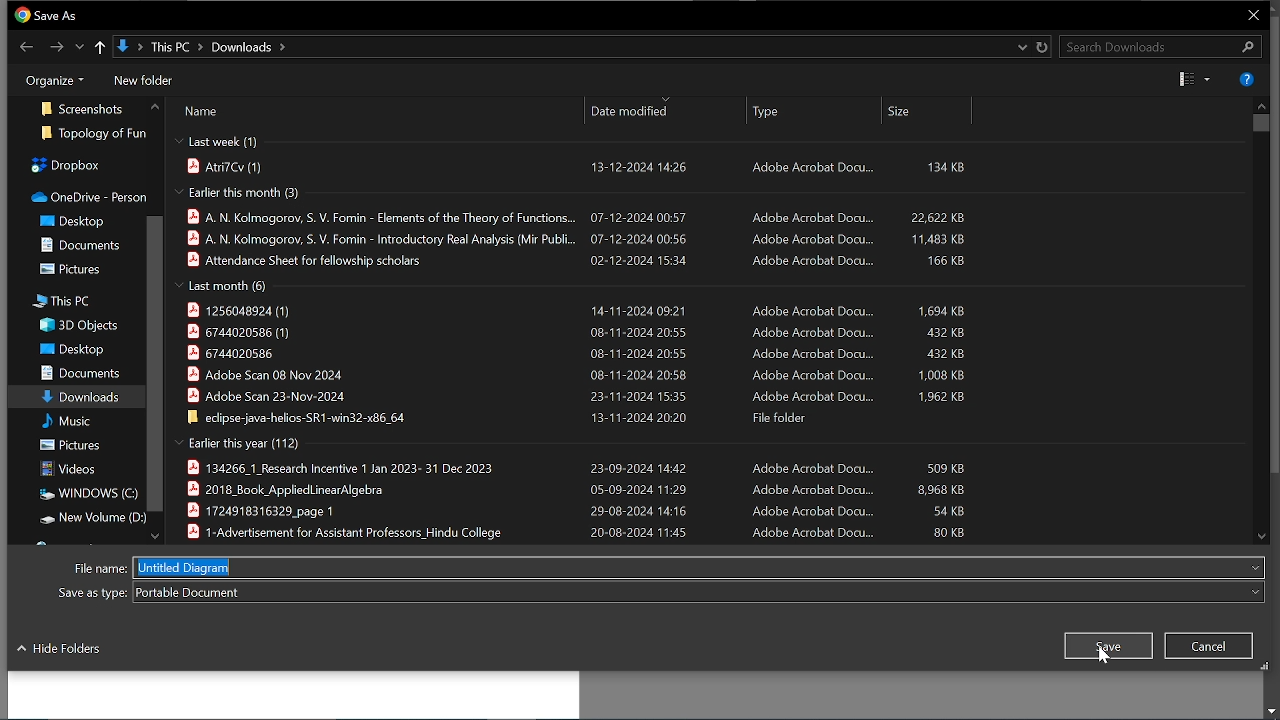 This screenshot has width=1280, height=720. Describe the element at coordinates (292, 418) in the screenshot. I see `| edipse-java-helios-SR1-win32-x86_64` at that location.